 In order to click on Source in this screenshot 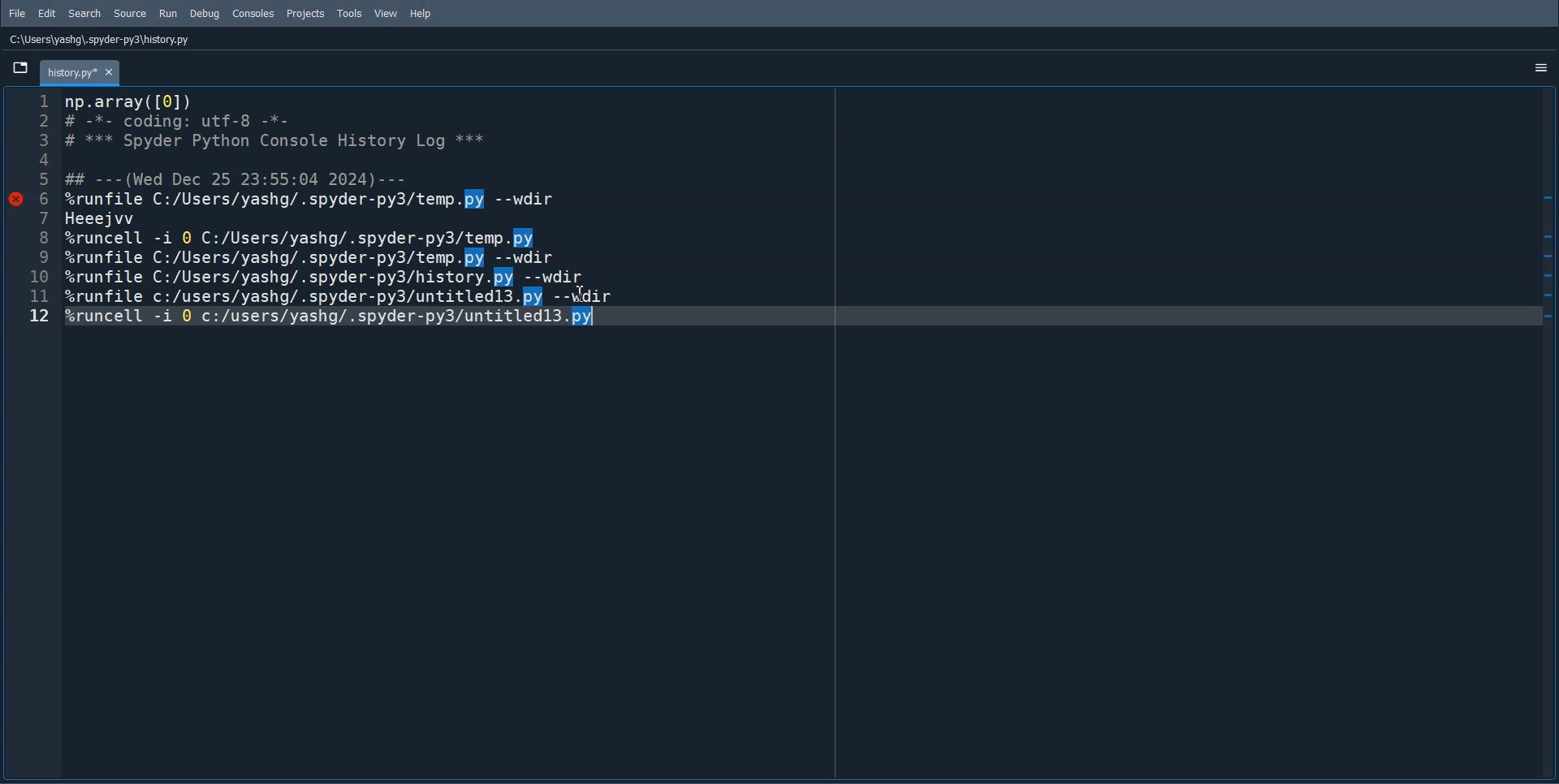, I will do `click(132, 13)`.